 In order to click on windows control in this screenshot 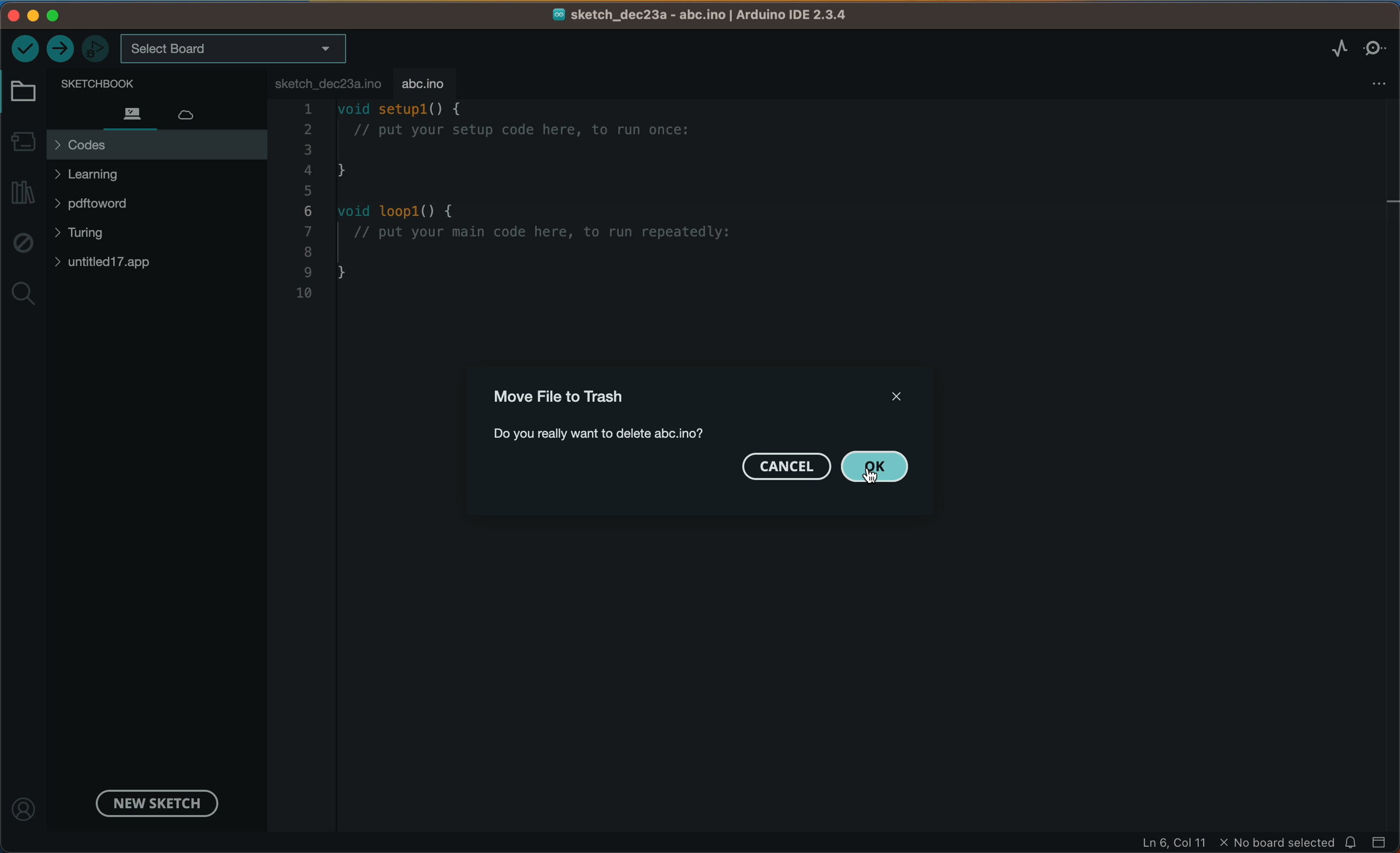, I will do `click(58, 15)`.